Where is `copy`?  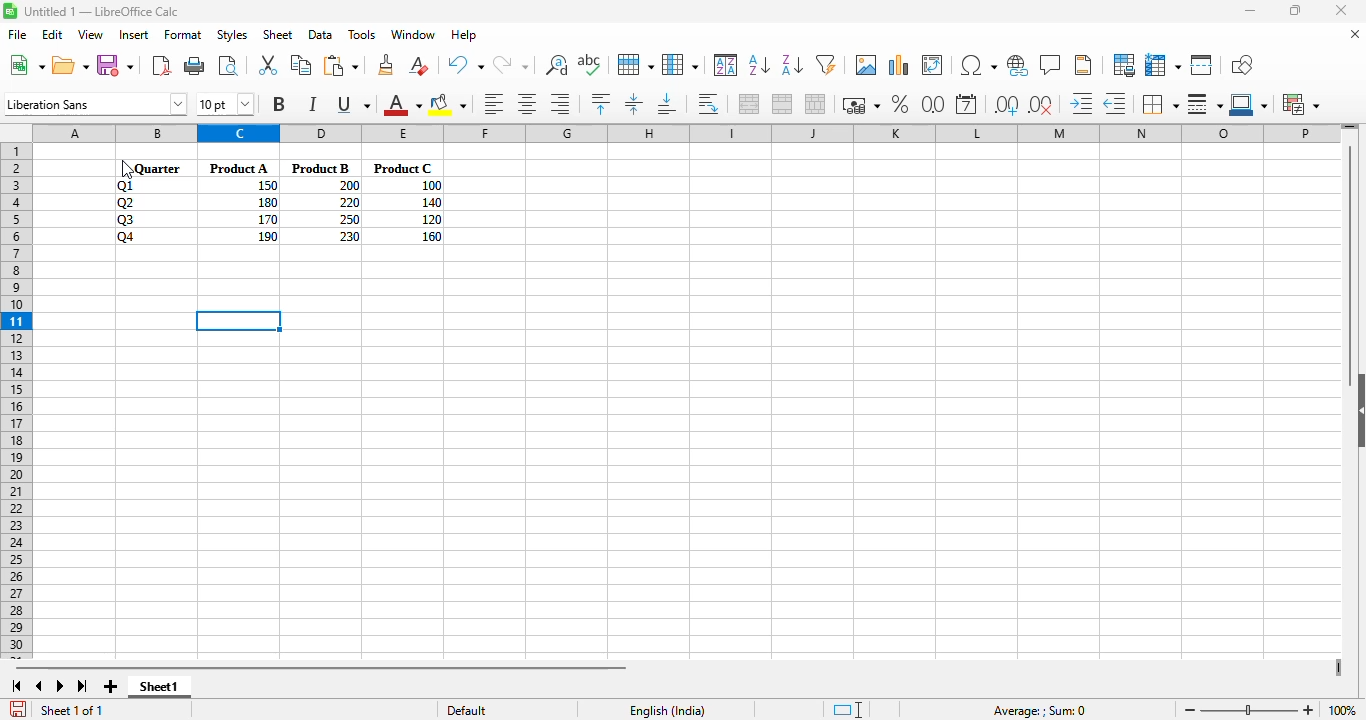 copy is located at coordinates (301, 65).